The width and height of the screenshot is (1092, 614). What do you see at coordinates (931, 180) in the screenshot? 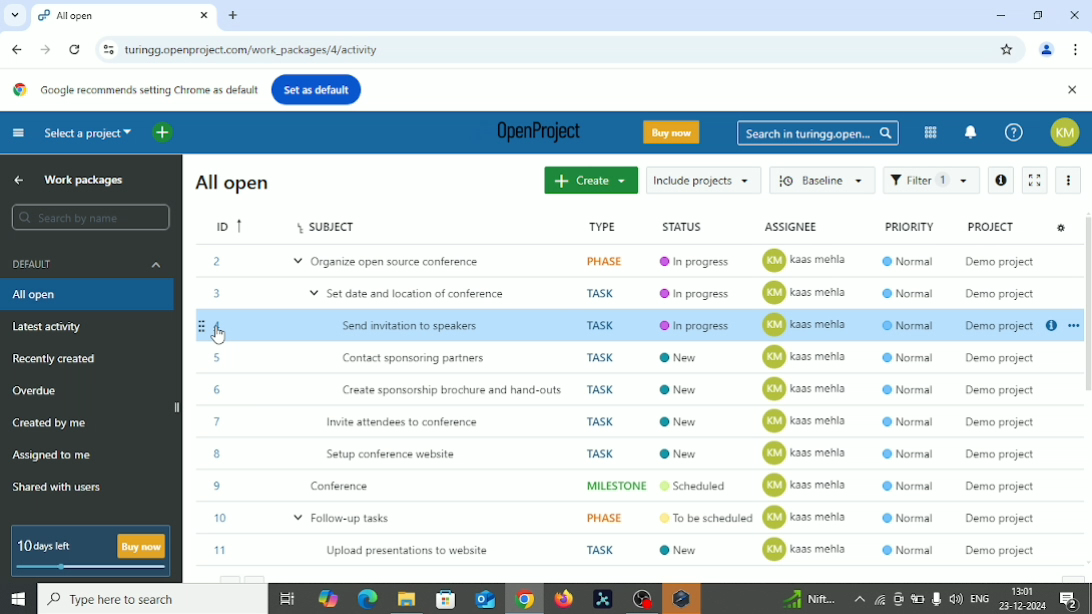
I see `Filter` at bounding box center [931, 180].